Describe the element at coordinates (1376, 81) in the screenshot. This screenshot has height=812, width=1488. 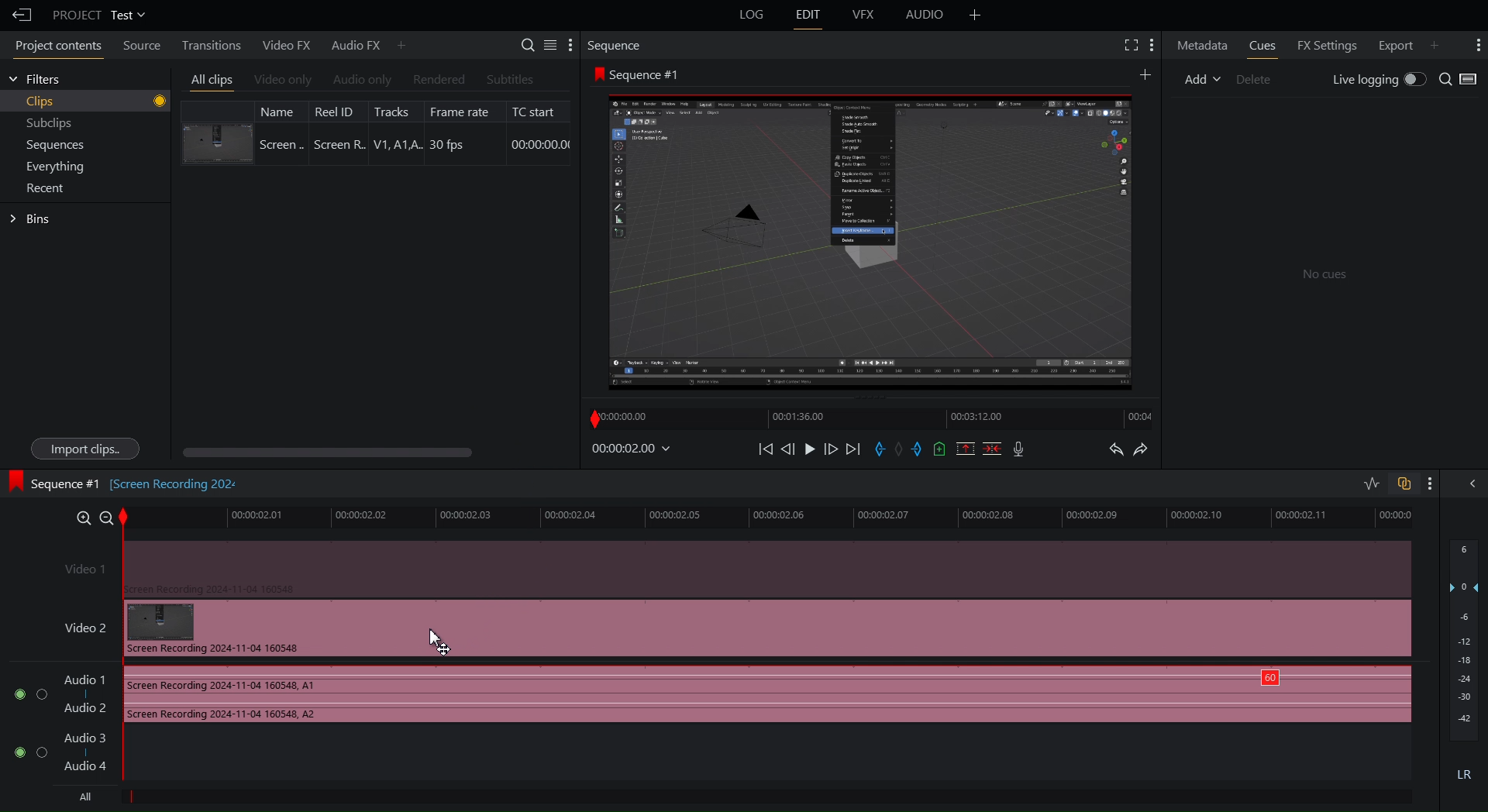
I see `Live Logging` at that location.